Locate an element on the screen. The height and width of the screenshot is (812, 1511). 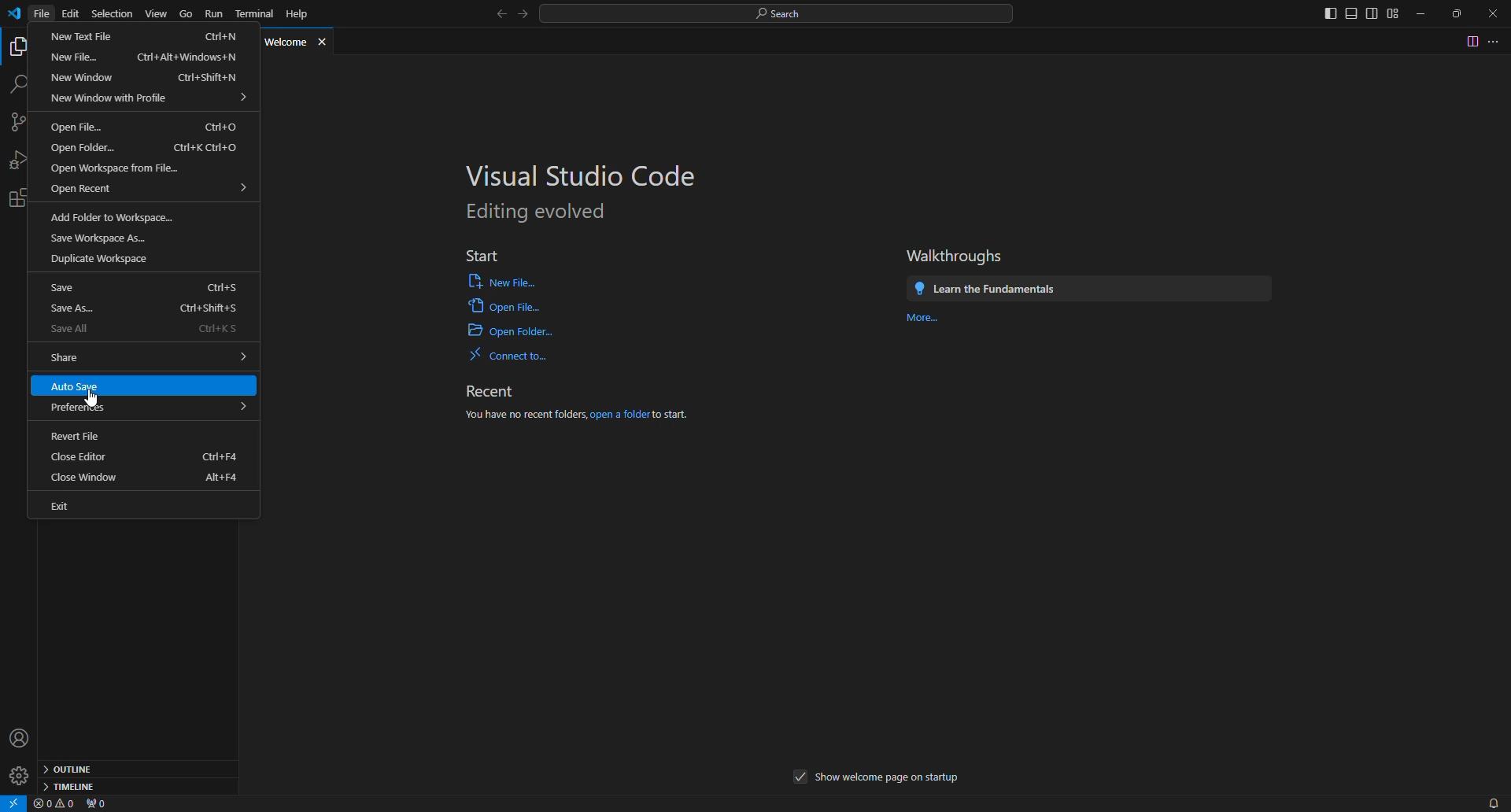
close editor is located at coordinates (79, 457).